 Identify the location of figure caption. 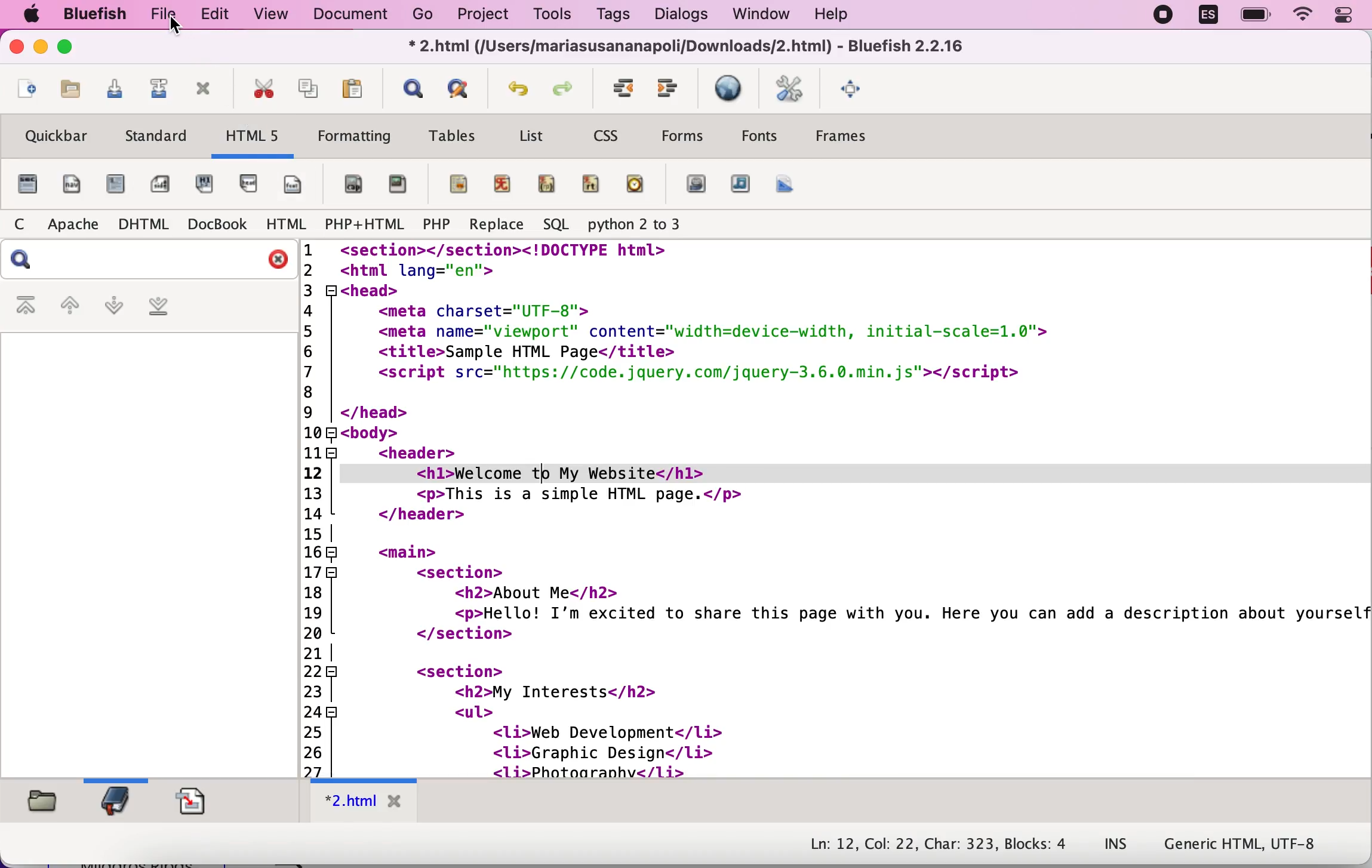
(349, 183).